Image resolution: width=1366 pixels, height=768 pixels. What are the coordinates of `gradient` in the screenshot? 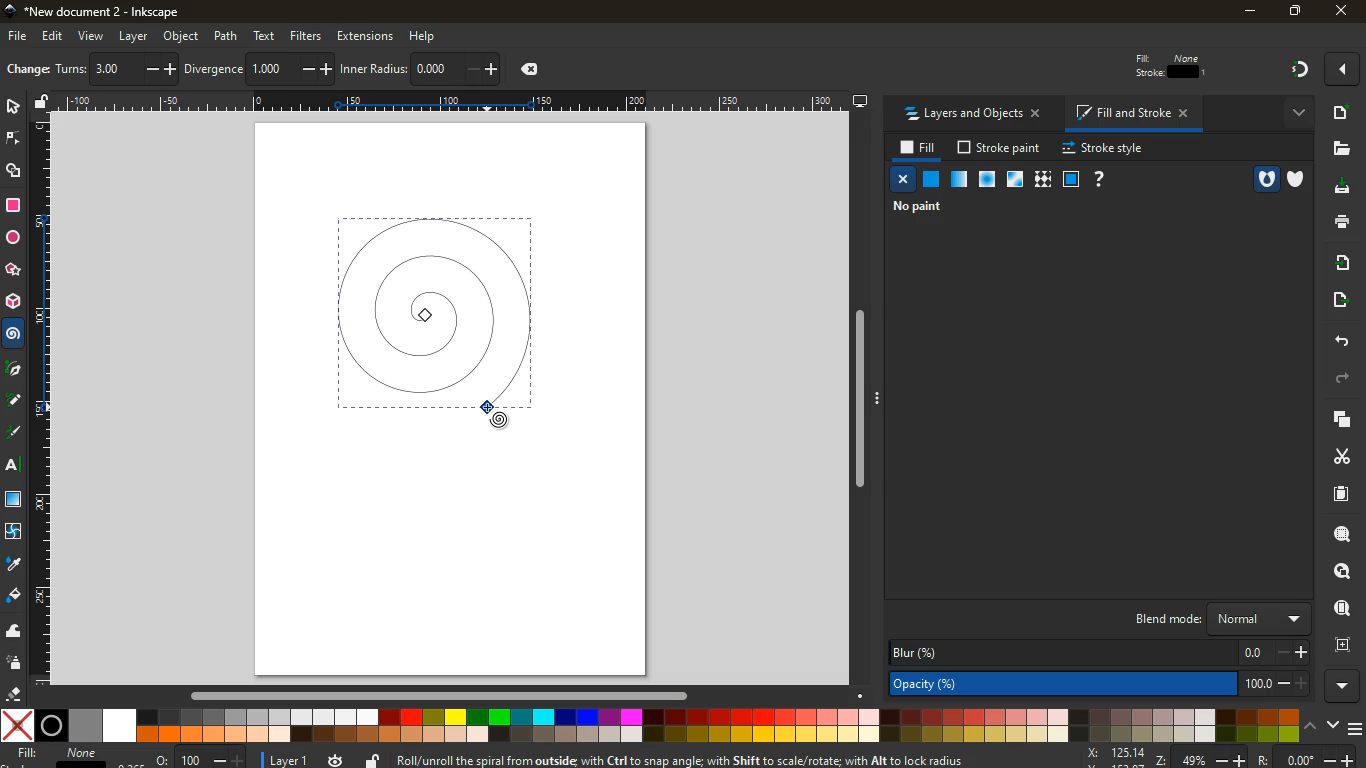 It's located at (1302, 70).